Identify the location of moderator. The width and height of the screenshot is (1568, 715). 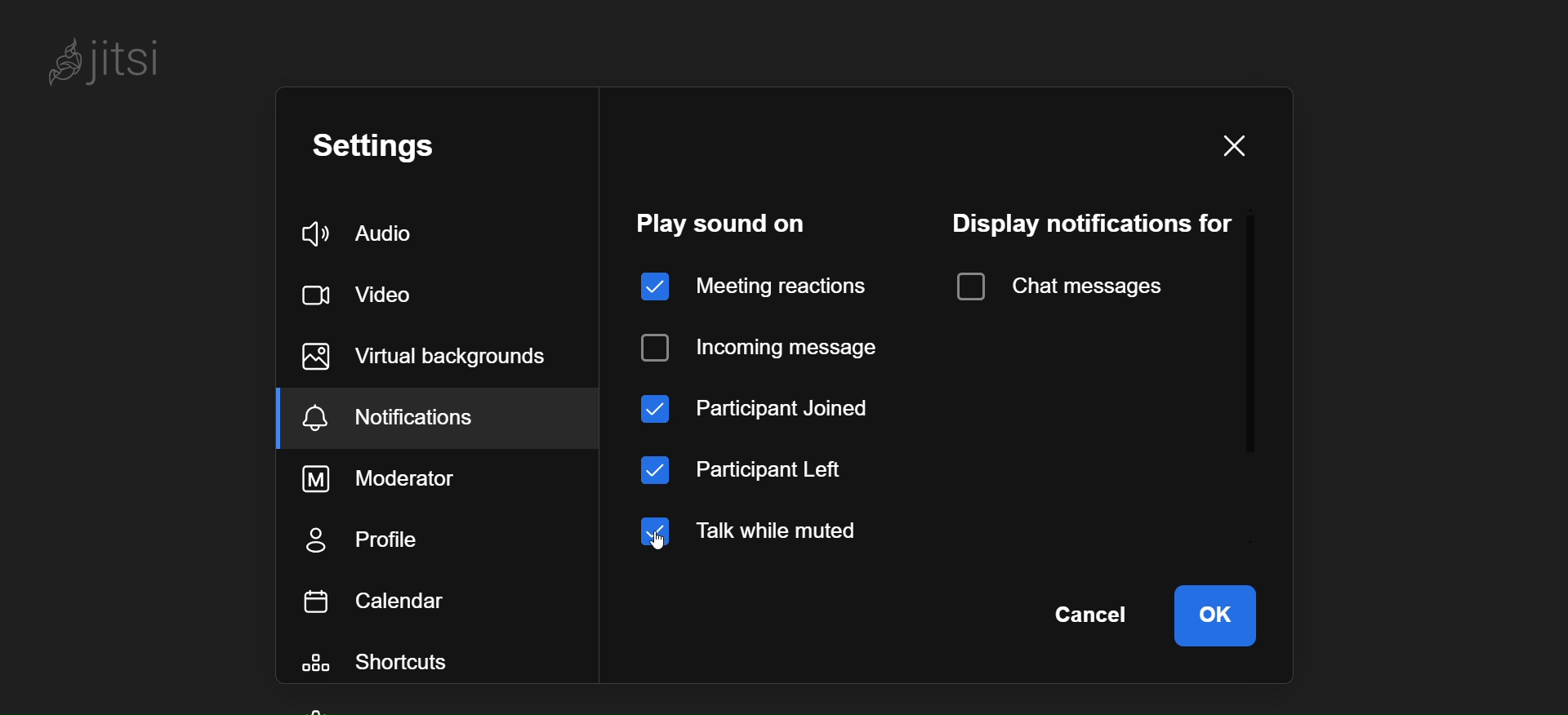
(383, 479).